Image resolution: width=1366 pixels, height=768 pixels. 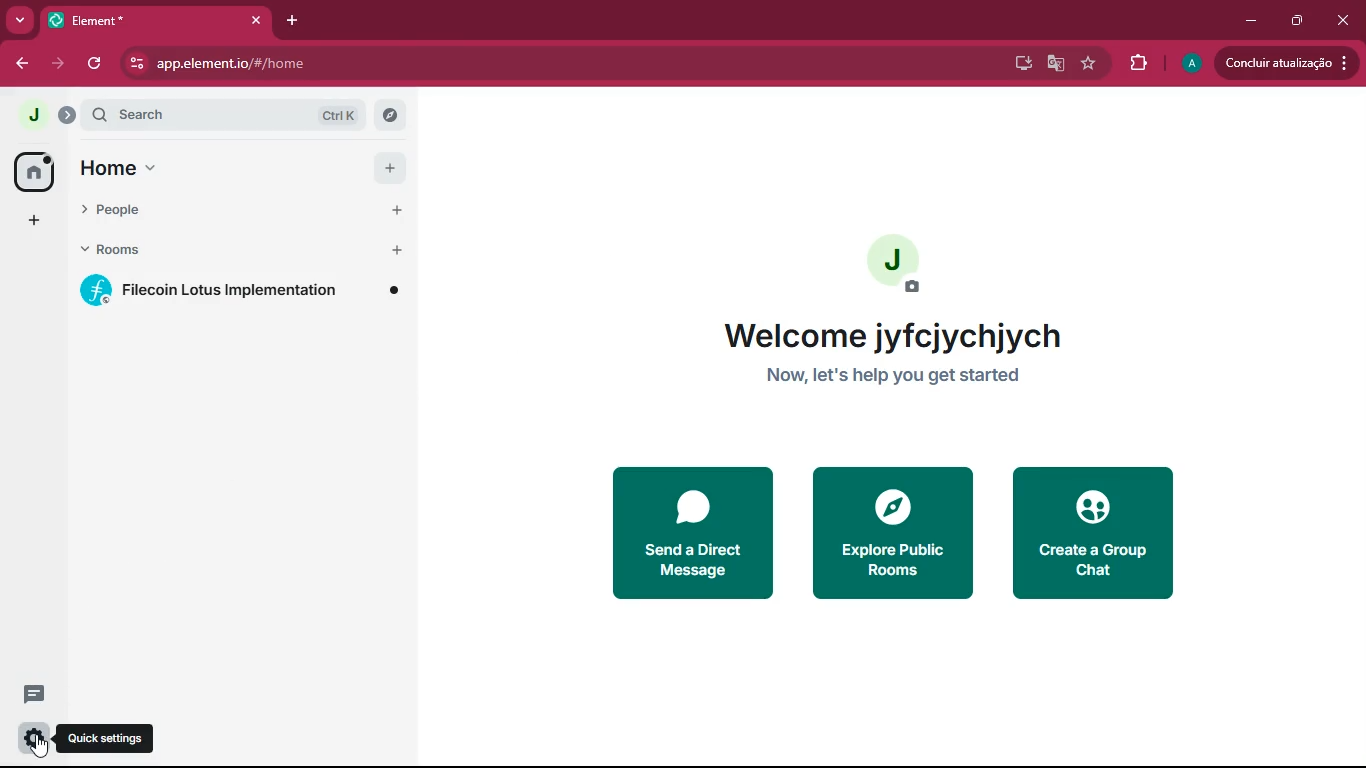 I want to click on comments, so click(x=30, y=694).